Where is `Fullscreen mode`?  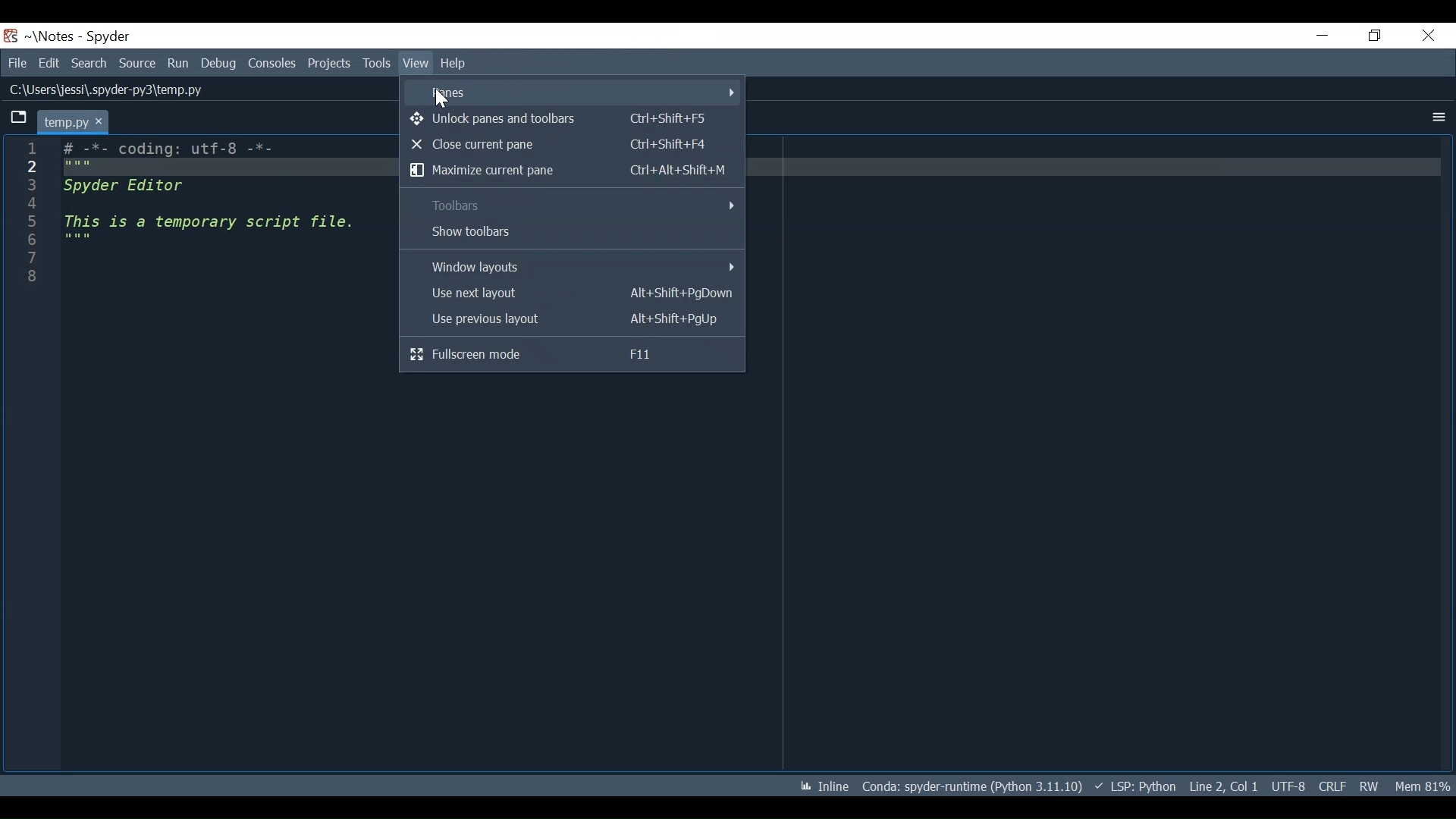
Fullscreen mode is located at coordinates (567, 353).